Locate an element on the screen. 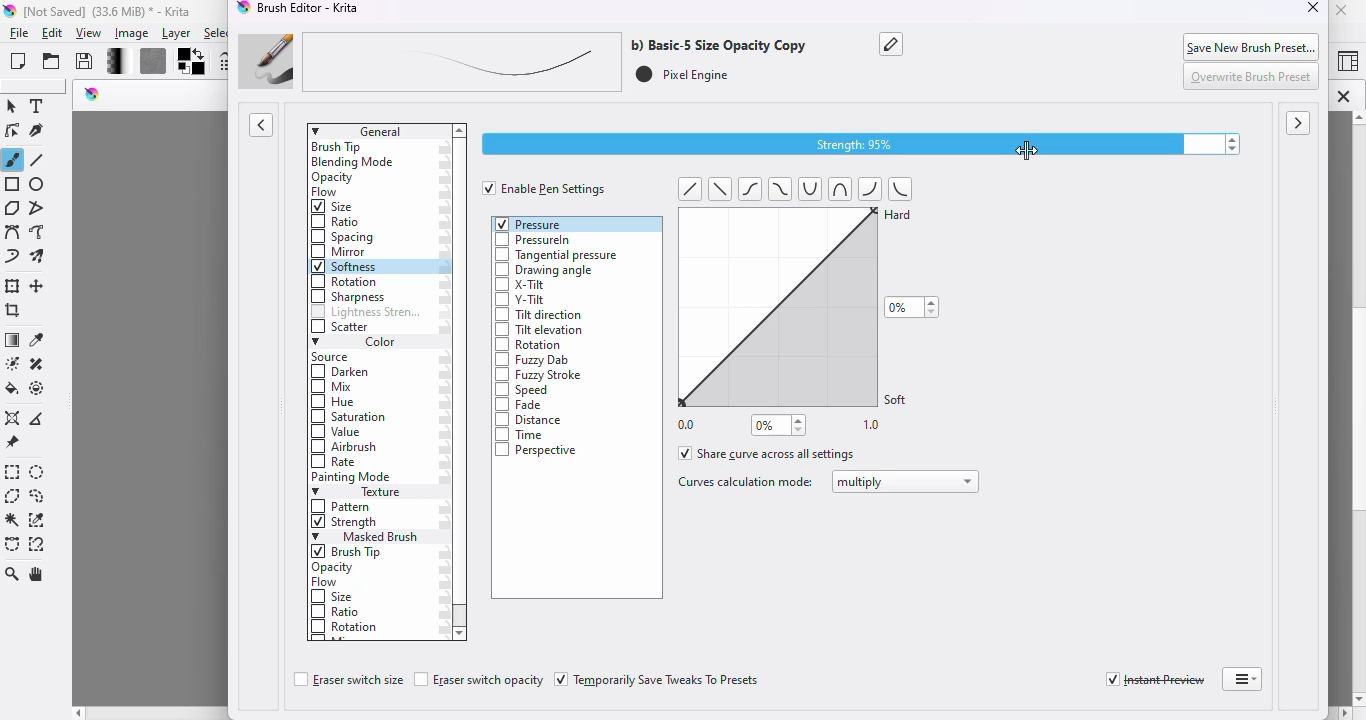 Image resolution: width=1366 pixels, height=720 pixels. eraser switch opacity is located at coordinates (479, 680).